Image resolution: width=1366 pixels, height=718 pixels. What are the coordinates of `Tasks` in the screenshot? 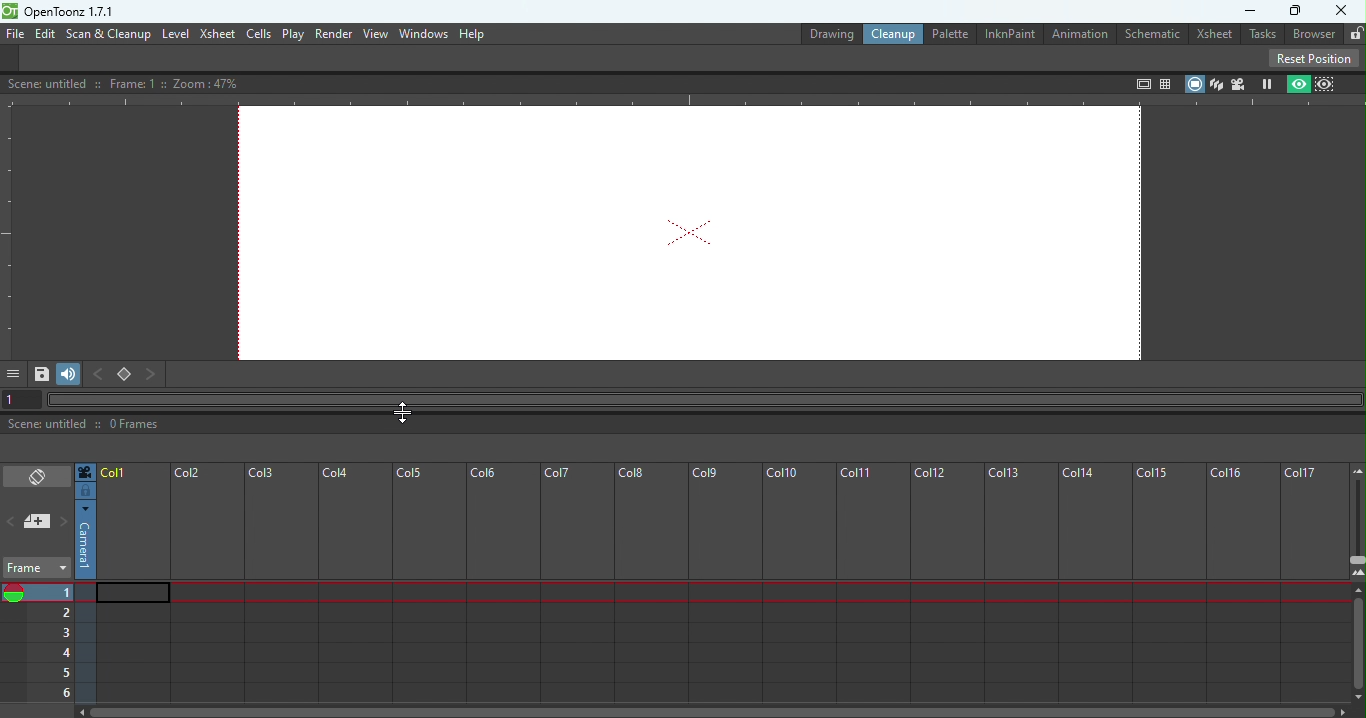 It's located at (1261, 35).